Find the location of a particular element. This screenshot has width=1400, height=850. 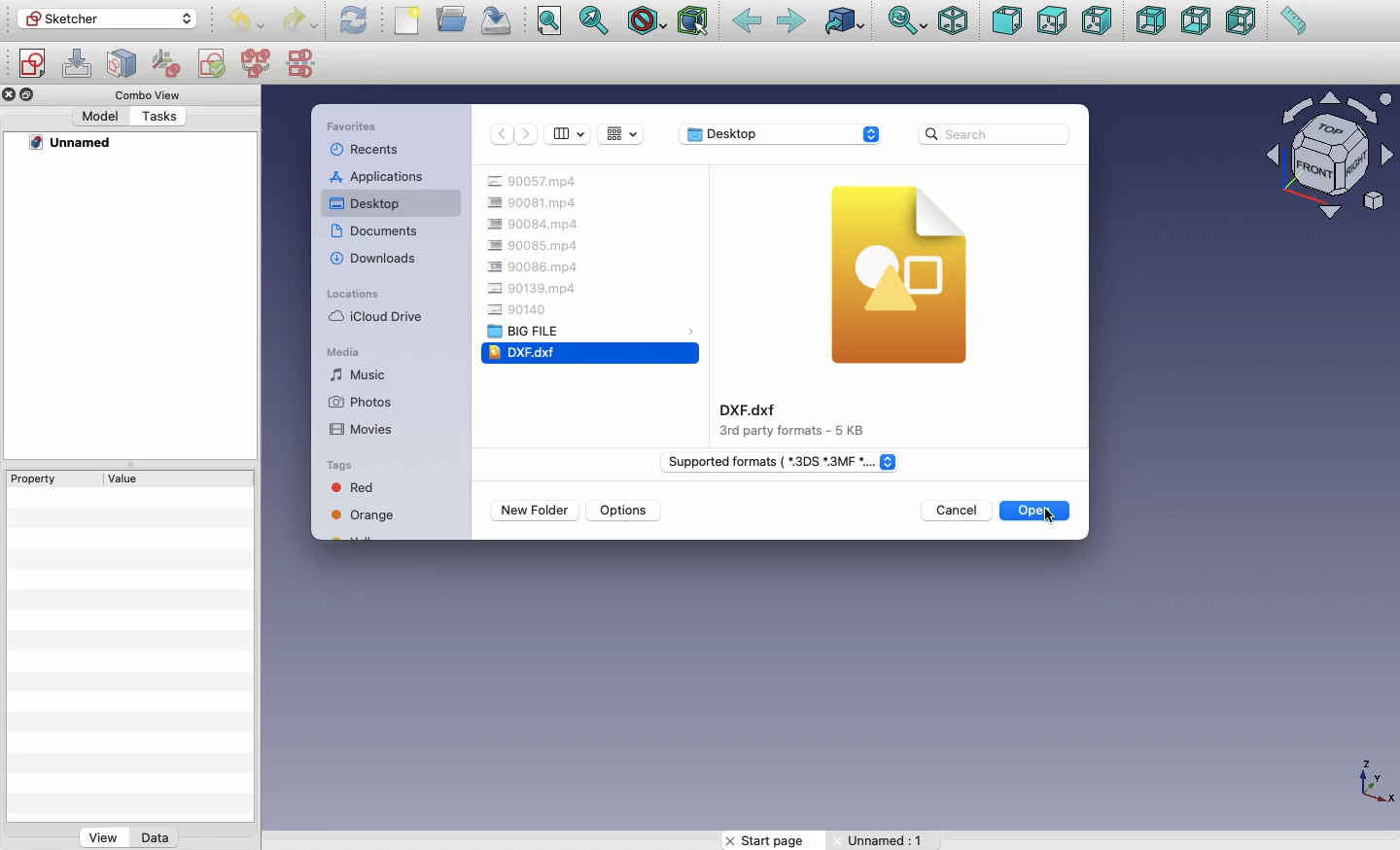

Forward is located at coordinates (791, 23).